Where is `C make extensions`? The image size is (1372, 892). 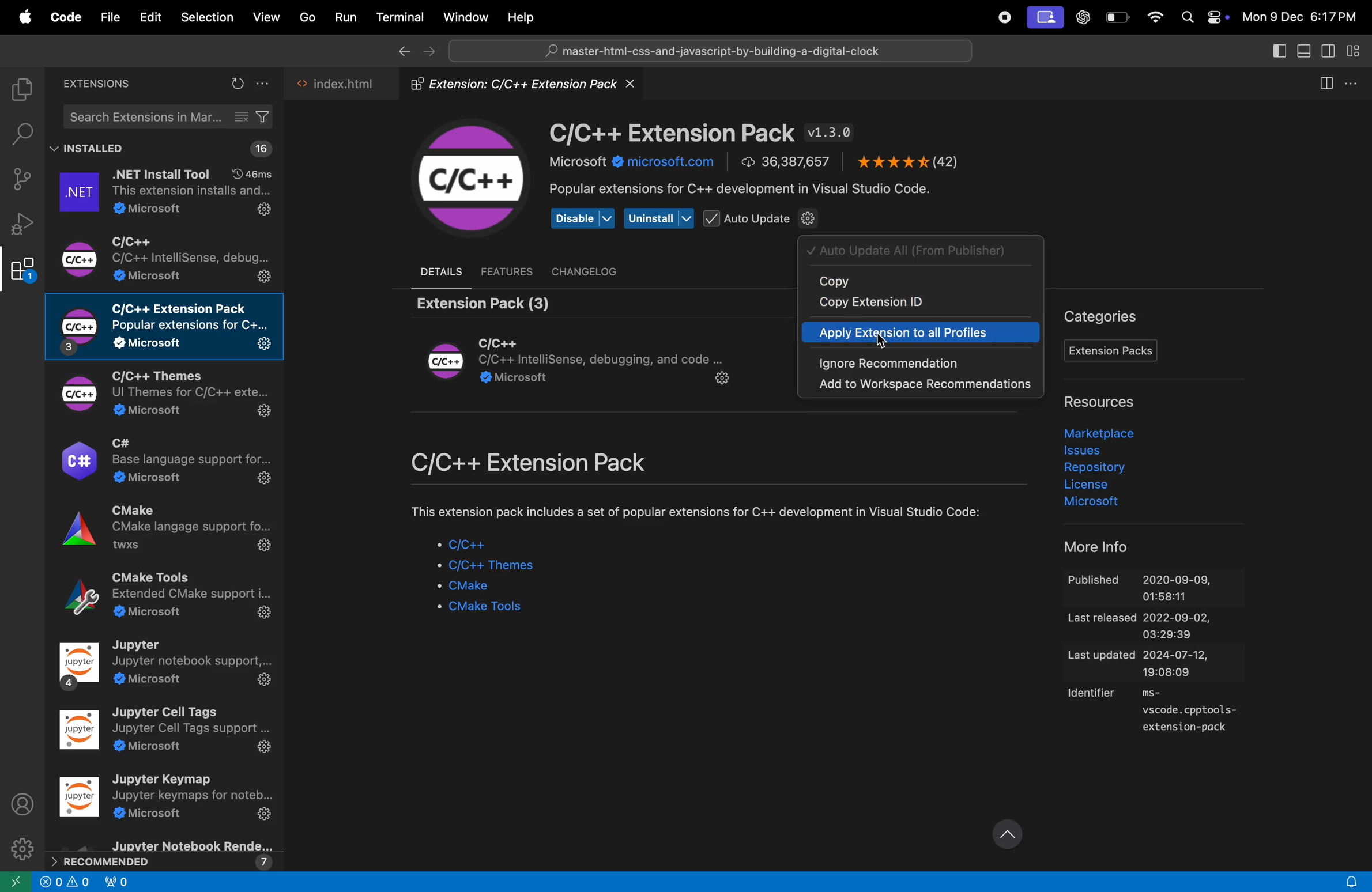
C make extensions is located at coordinates (164, 535).